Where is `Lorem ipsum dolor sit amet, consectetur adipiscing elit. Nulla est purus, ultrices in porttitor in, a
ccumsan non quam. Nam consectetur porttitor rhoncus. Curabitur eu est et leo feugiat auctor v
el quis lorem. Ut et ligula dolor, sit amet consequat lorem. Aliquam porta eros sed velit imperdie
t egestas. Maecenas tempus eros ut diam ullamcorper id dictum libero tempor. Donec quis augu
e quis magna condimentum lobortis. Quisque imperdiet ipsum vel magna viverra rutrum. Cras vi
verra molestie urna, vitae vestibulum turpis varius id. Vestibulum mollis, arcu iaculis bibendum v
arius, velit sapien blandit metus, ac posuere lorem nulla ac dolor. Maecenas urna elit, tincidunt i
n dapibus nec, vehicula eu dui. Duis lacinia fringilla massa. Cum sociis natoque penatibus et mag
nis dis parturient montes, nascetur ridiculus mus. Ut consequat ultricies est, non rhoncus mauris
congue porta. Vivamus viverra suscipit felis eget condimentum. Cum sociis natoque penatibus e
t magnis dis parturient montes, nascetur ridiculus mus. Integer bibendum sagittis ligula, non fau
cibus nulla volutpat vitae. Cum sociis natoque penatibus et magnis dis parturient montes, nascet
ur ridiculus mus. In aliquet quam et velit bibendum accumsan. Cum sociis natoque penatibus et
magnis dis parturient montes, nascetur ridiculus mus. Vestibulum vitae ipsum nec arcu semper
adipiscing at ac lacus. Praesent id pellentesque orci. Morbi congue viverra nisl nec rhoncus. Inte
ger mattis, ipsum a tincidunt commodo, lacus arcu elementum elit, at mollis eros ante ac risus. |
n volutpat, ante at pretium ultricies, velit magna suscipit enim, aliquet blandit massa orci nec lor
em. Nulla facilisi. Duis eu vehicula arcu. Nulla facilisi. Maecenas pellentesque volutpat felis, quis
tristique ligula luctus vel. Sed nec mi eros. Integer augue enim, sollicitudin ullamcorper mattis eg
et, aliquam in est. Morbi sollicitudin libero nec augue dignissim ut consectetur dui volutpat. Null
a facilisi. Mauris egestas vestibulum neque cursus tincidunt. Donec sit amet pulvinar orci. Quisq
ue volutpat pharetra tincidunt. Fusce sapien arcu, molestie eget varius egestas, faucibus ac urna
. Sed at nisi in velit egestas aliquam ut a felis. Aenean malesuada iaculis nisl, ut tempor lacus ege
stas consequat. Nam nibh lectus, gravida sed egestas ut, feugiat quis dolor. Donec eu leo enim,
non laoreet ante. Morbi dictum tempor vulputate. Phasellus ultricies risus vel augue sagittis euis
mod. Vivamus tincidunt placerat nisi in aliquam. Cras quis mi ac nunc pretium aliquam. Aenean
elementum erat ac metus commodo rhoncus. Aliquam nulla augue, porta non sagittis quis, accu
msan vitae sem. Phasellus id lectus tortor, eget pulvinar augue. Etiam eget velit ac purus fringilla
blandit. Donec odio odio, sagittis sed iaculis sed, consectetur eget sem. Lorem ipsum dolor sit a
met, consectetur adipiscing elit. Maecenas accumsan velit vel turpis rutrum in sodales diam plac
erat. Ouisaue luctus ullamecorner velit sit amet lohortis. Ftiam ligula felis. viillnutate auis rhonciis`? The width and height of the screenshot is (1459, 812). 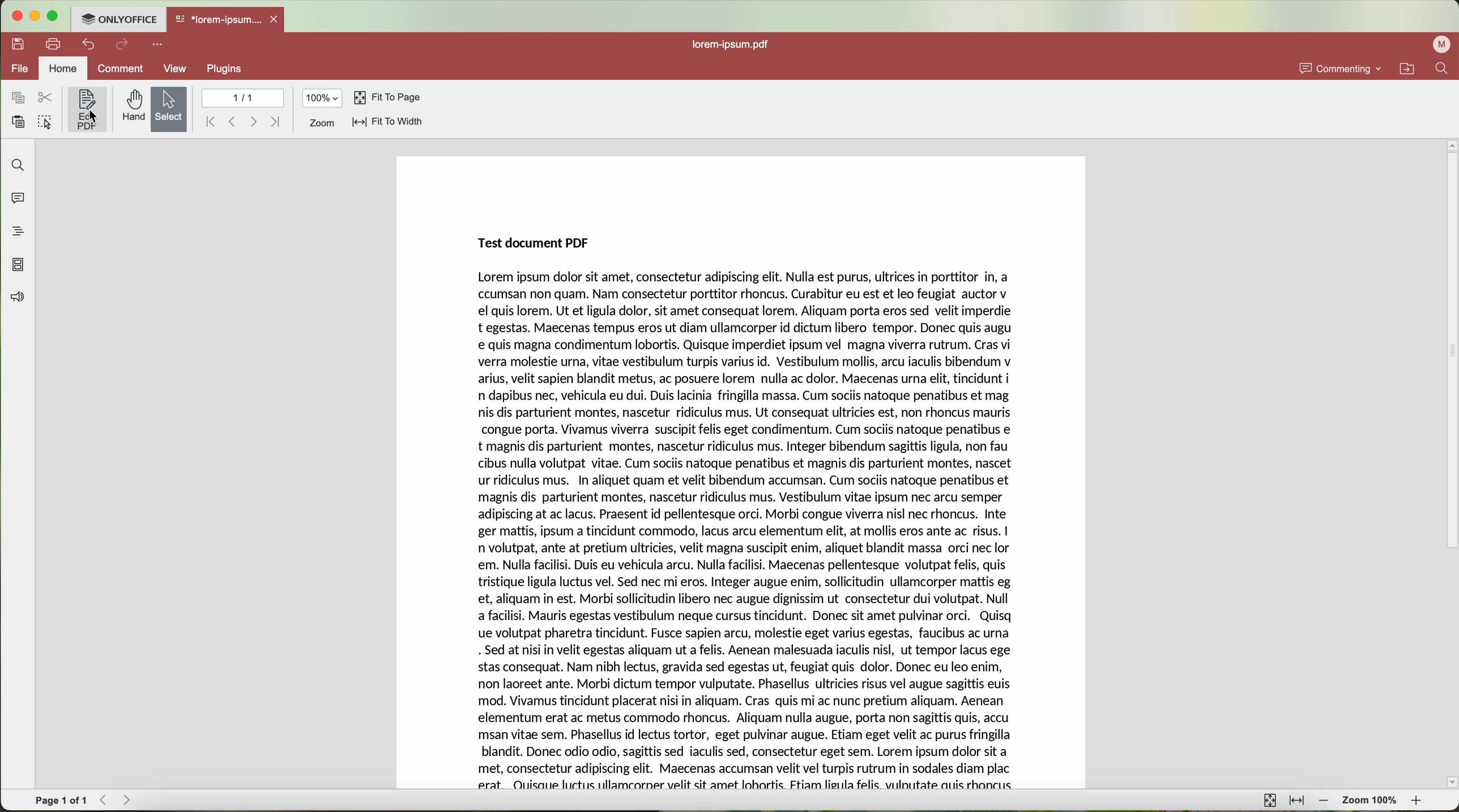
Lorem ipsum dolor sit amet, consectetur adipiscing elit. Nulla est purus, ultrices in porttitor in, a
ccumsan non quam. Nam consectetur porttitor rhoncus. Curabitur eu est et leo feugiat auctor v
el quis lorem. Ut et ligula dolor, sit amet consequat lorem. Aliquam porta eros sed velit imperdie
t egestas. Maecenas tempus eros ut diam ullamcorper id dictum libero tempor. Donec quis augu
e quis magna condimentum lobortis. Quisque imperdiet ipsum vel magna viverra rutrum. Cras vi
verra molestie urna, vitae vestibulum turpis varius id. Vestibulum mollis, arcu iaculis bibendum v
arius, velit sapien blandit metus, ac posuere lorem nulla ac dolor. Maecenas urna elit, tincidunt i
n dapibus nec, vehicula eu dui. Duis lacinia fringilla massa. Cum sociis natoque penatibus et mag
nis dis parturient montes, nascetur ridiculus mus. Ut consequat ultricies est, non rhoncus mauris
congue porta. Vivamus viverra suscipit felis eget condimentum. Cum sociis natoque penatibus e
t magnis dis parturient montes, nascetur ridiculus mus. Integer bibendum sagittis ligula, non fau
cibus nulla volutpat vitae. Cum sociis natoque penatibus et magnis dis parturient montes, nascet
ur ridiculus mus. In aliquet quam et velit bibendum accumsan. Cum sociis natoque penatibus et
magnis dis parturient montes, nascetur ridiculus mus. Vestibulum vitae ipsum nec arcu semper
adipiscing at ac lacus. Praesent id pellentesque orci. Morbi congue viverra nisl nec rhoncus. Inte
ger mattis, ipsum a tincidunt commodo, lacus arcu elementum elit, at mollis eros ante ac risus. |
n volutpat, ante at pretium ultricies, velit magna suscipit enim, aliquet blandit massa orci nec lor
em. Nulla facilisi. Duis eu vehicula arcu. Nulla facilisi. Maecenas pellentesque volutpat felis, quis
tristique ligula luctus vel. Sed nec mi eros. Integer augue enim, sollicitudin ullamcorper mattis eg
et, aliquam in est. Morbi sollicitudin libero nec augue dignissim ut consectetur dui volutpat. Null
a facilisi. Mauris egestas vestibulum neque cursus tincidunt. Donec sit amet pulvinar orci. Quisq
ue volutpat pharetra tincidunt. Fusce sapien arcu, molestie eget varius egestas, faucibus ac urna
. Sed at nisi in velit egestas aliquam ut a felis. Aenean malesuada iaculis nisl, ut tempor lacus ege
stas consequat. Nam nibh lectus, gravida sed egestas ut, feugiat quis dolor. Donec eu leo enim,
non laoreet ante. Morbi dictum tempor vulputate. Phasellus ultricies risus vel augue sagittis euis
mod. Vivamus tincidunt placerat nisi in aliquam. Cras quis mi ac nunc pretium aliquam. Aenean
elementum erat ac metus commodo rhoncus. Aliquam nulla augue, porta non sagittis quis, accu
msan vitae sem. Phasellus id lectus tortor, eget pulvinar augue. Etiam eget velit ac purus fringilla
blandit. Donec odio odio, sagittis sed iaculis sed, consectetur eget sem. Lorem ipsum dolor sit a
met, consectetur adipiscing elit. Maecenas accumsan velit vel turpis rutrum in sodales diam plac
erat. Ouisaue luctus ullamecorner velit sit amet lohortis. Ftiam ligula felis. viillnutate auis rhonciis is located at coordinates (744, 530).